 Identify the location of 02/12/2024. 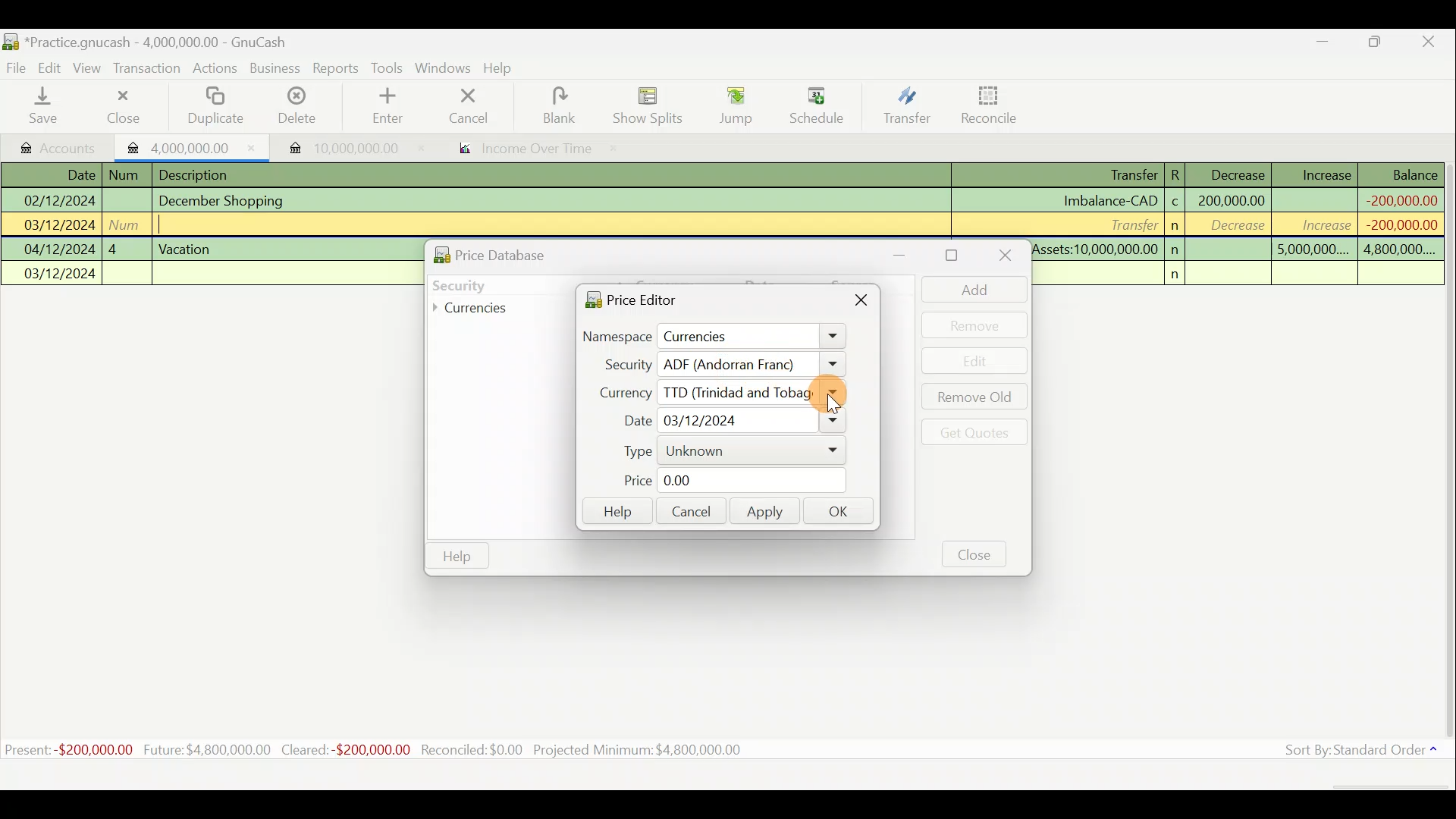
(58, 199).